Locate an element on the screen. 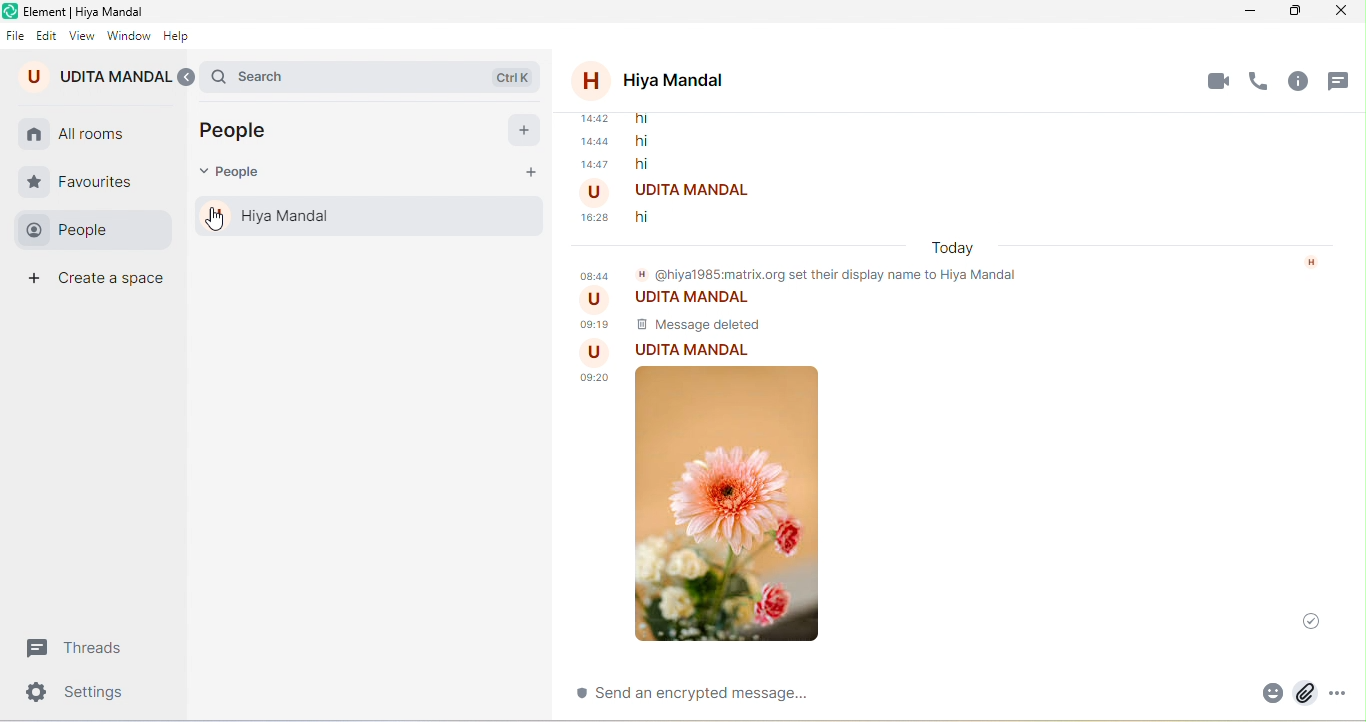  file is located at coordinates (15, 31).